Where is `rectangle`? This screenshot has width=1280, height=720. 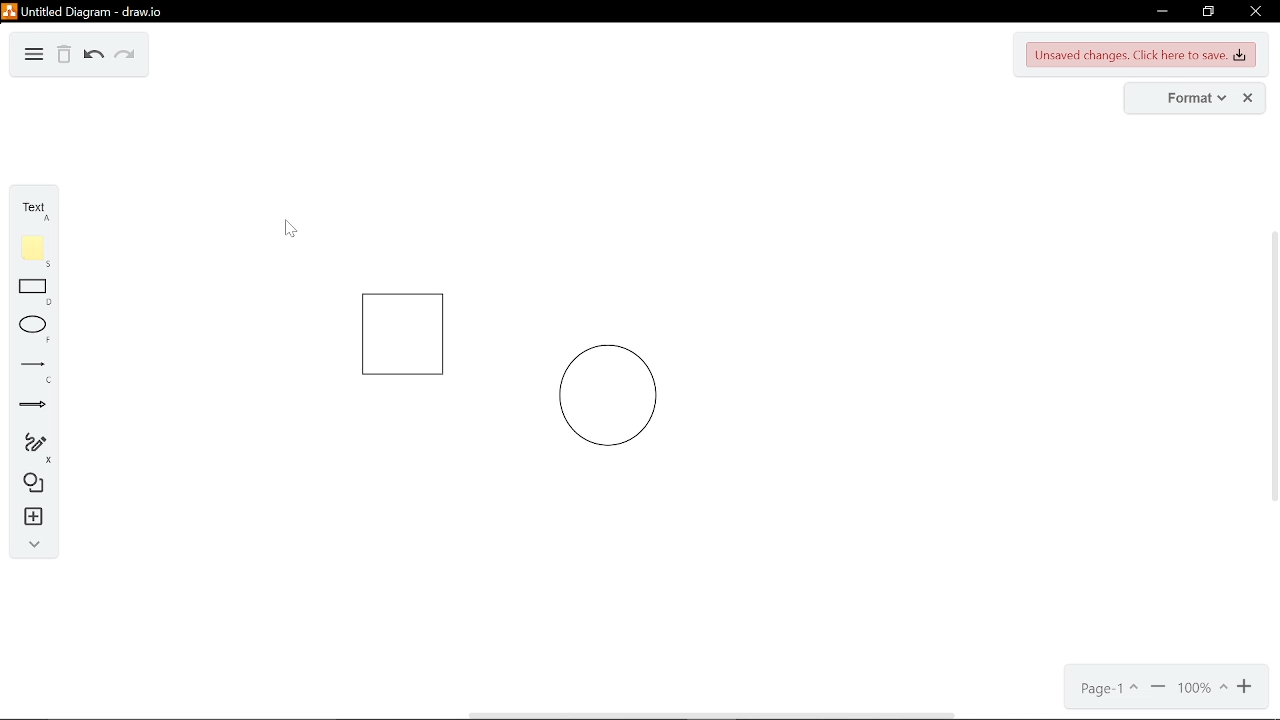 rectangle is located at coordinates (33, 293).